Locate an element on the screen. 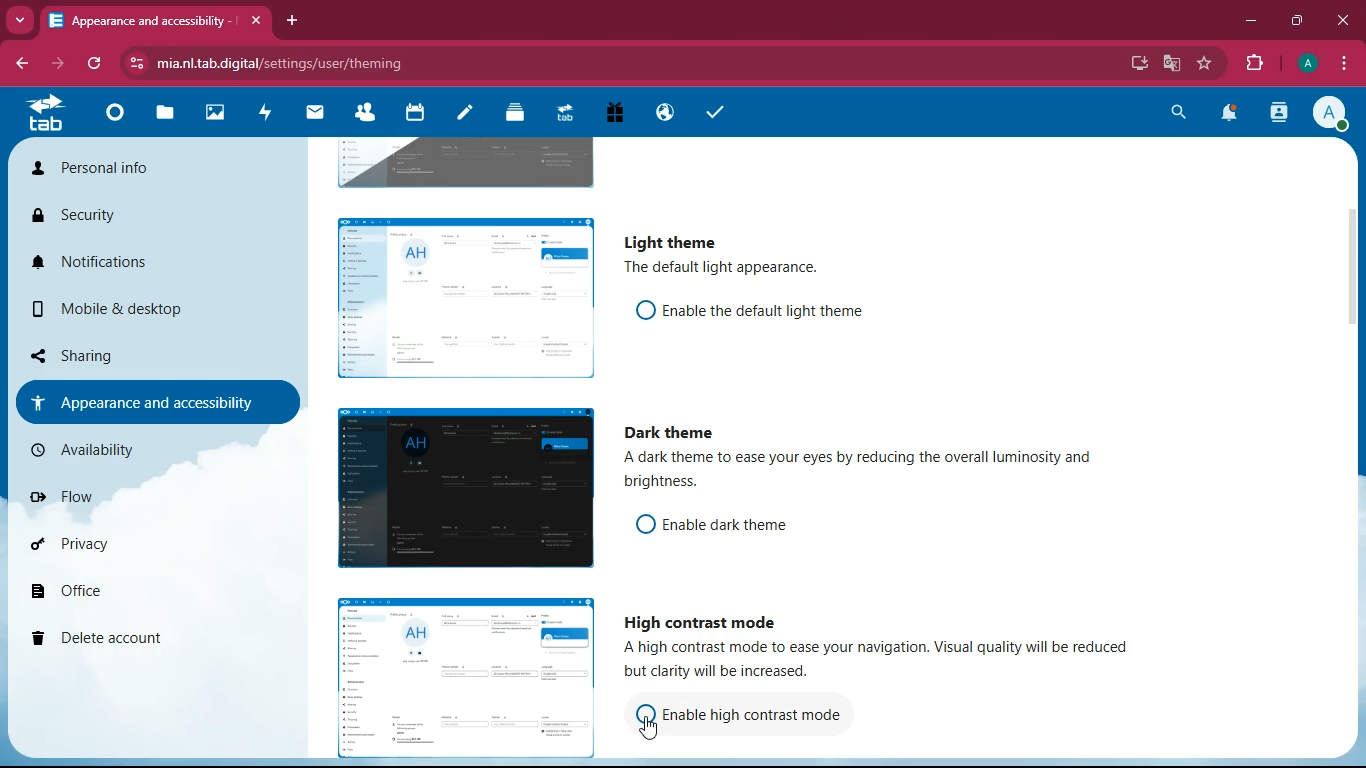 This screenshot has height=768, width=1366. image is located at coordinates (457, 673).